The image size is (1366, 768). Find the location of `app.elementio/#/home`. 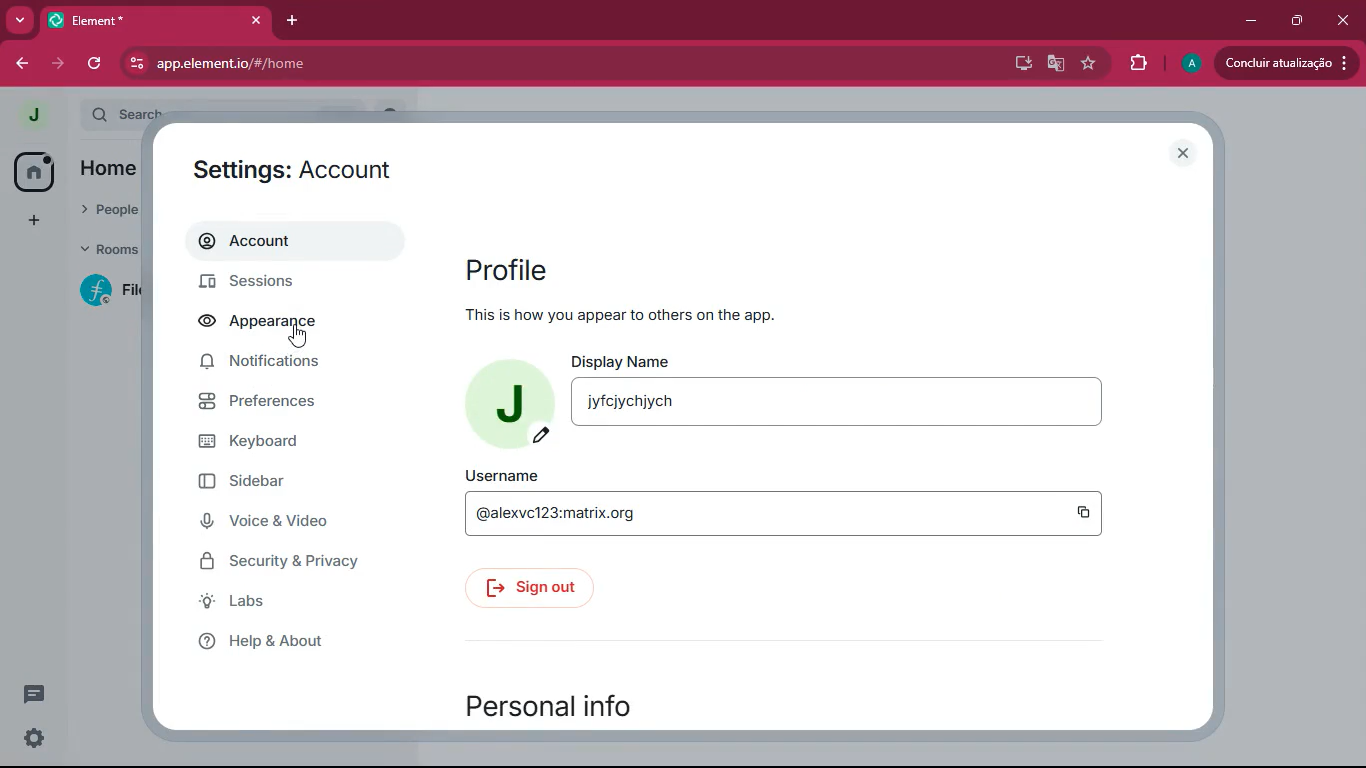

app.elementio/#/home is located at coordinates (396, 64).